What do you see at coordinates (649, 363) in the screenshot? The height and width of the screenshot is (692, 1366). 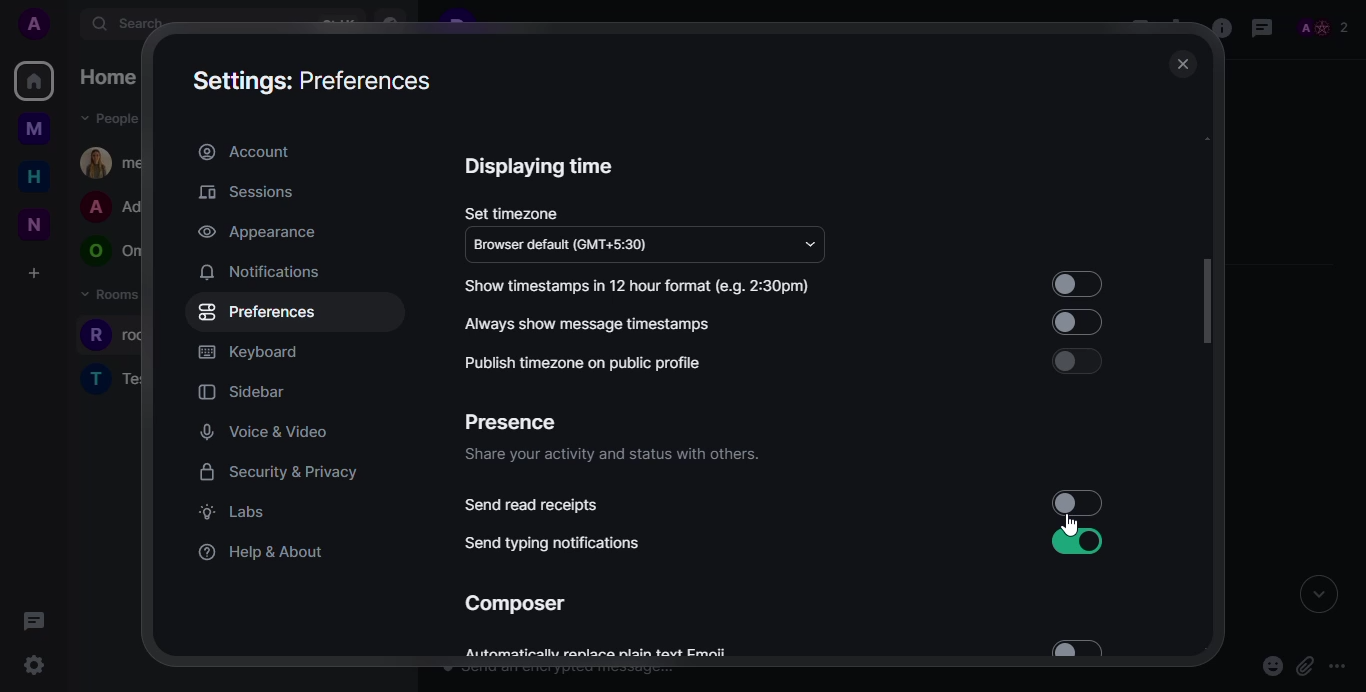 I see `Publish timezone on public profile` at bounding box center [649, 363].